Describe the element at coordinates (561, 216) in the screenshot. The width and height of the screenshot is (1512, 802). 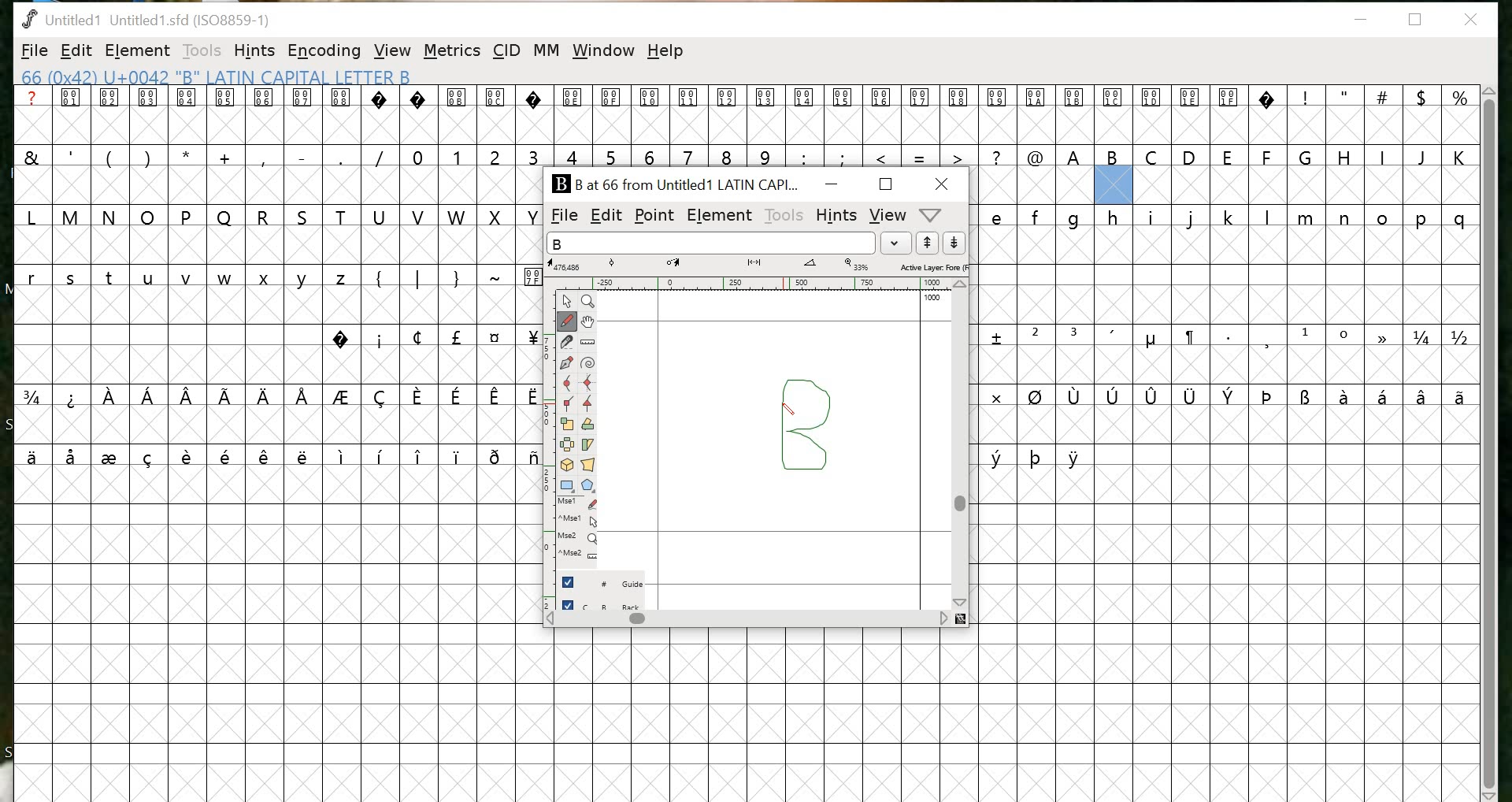
I see `FILE` at that location.